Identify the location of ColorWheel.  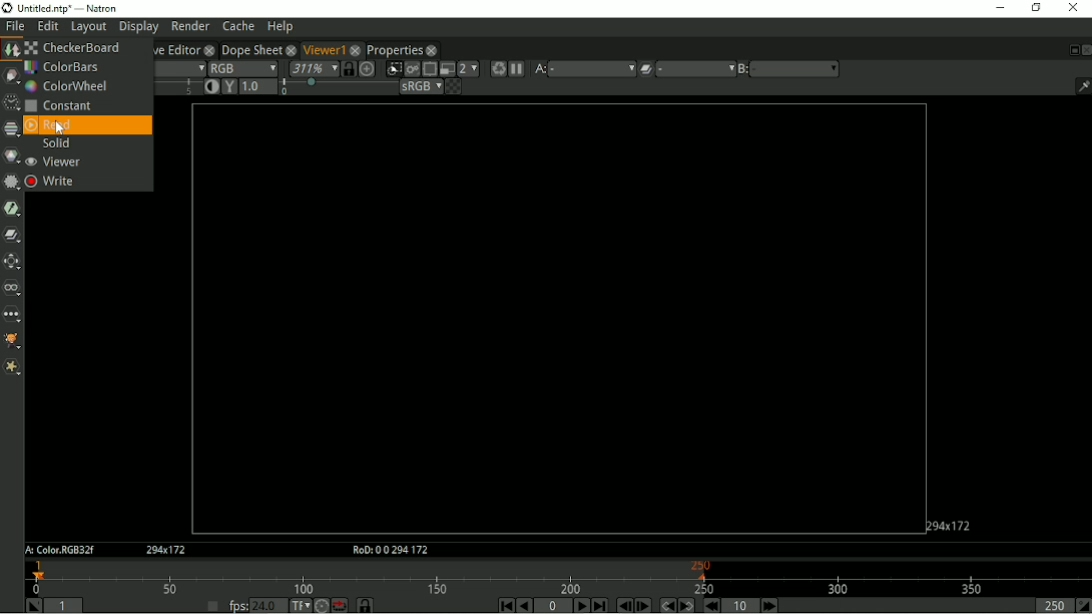
(70, 87).